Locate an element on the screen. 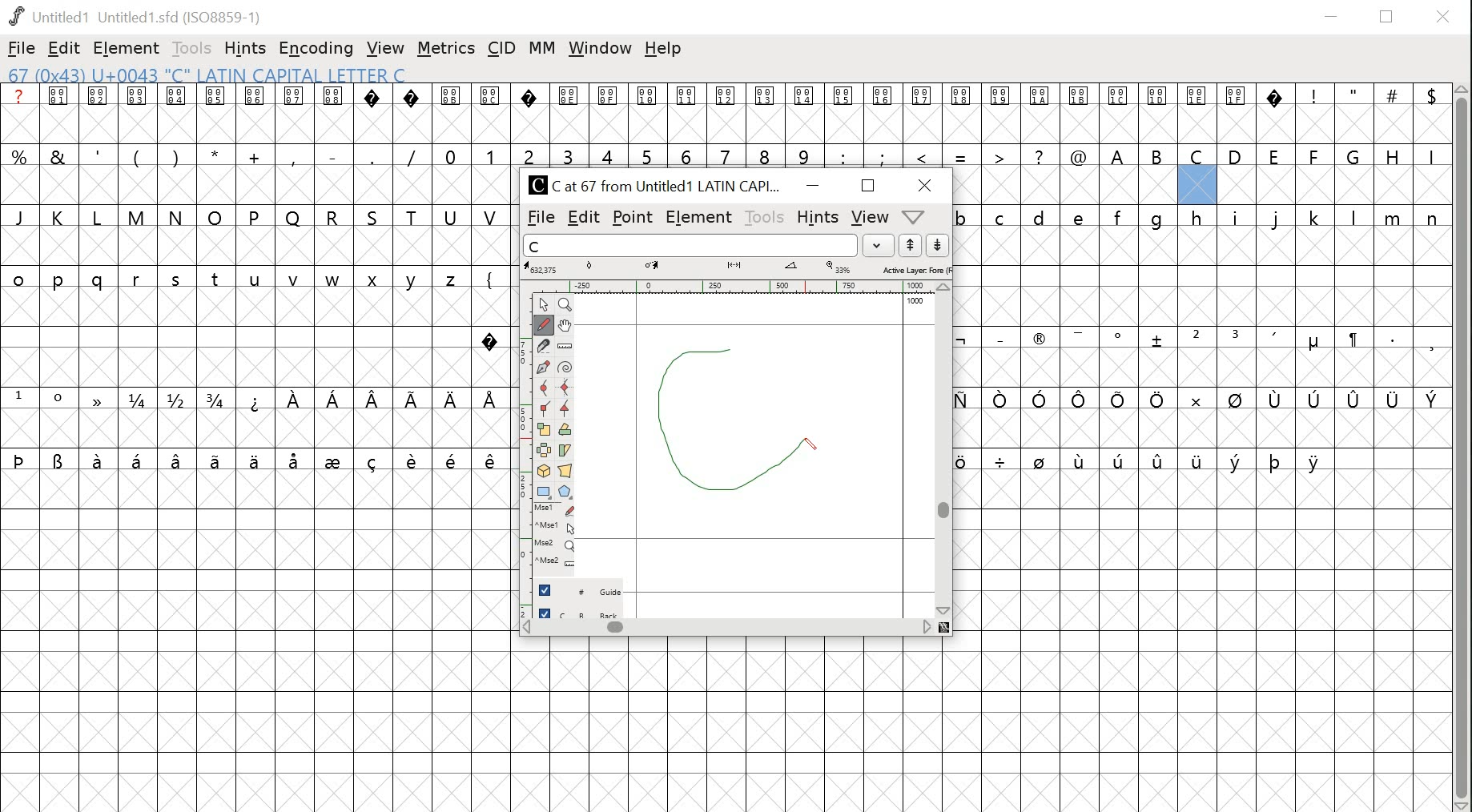 This screenshot has height=812, width=1472. glyphs is located at coordinates (1199, 308).